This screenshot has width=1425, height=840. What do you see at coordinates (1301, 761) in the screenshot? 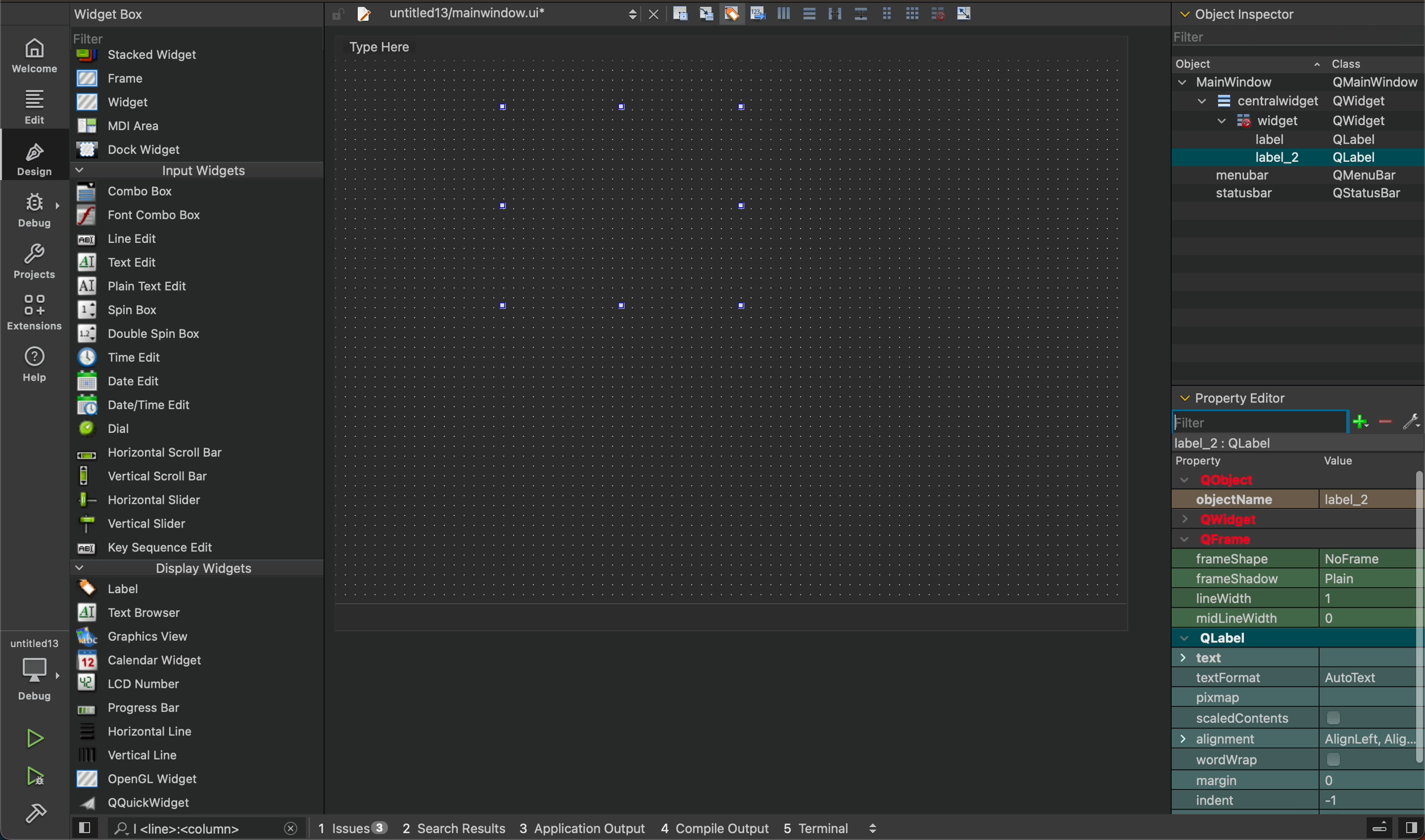
I see `` at bounding box center [1301, 761].